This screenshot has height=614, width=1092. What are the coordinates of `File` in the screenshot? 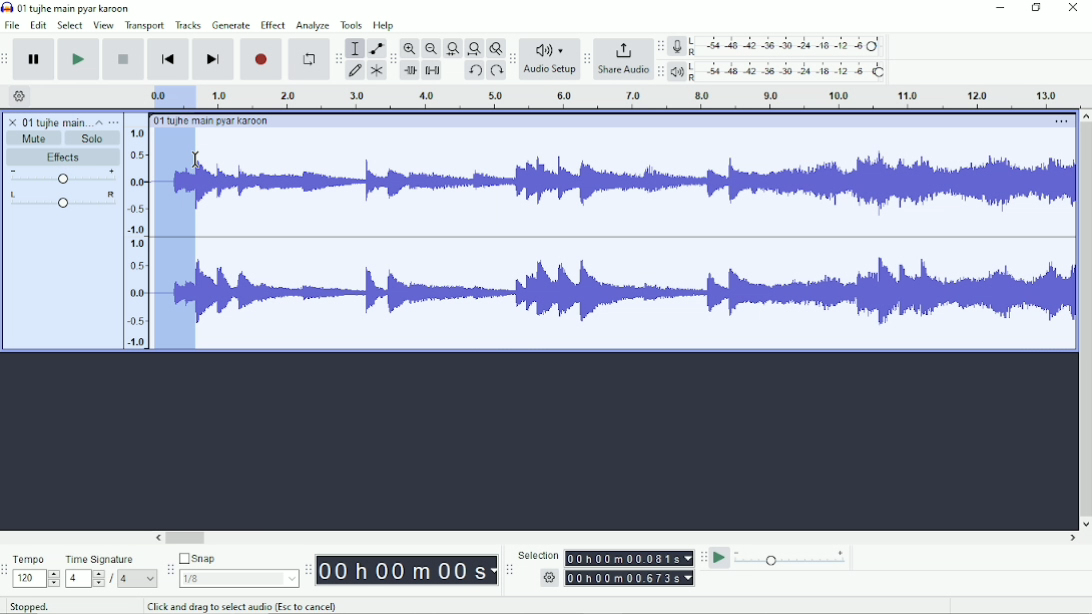 It's located at (14, 25).